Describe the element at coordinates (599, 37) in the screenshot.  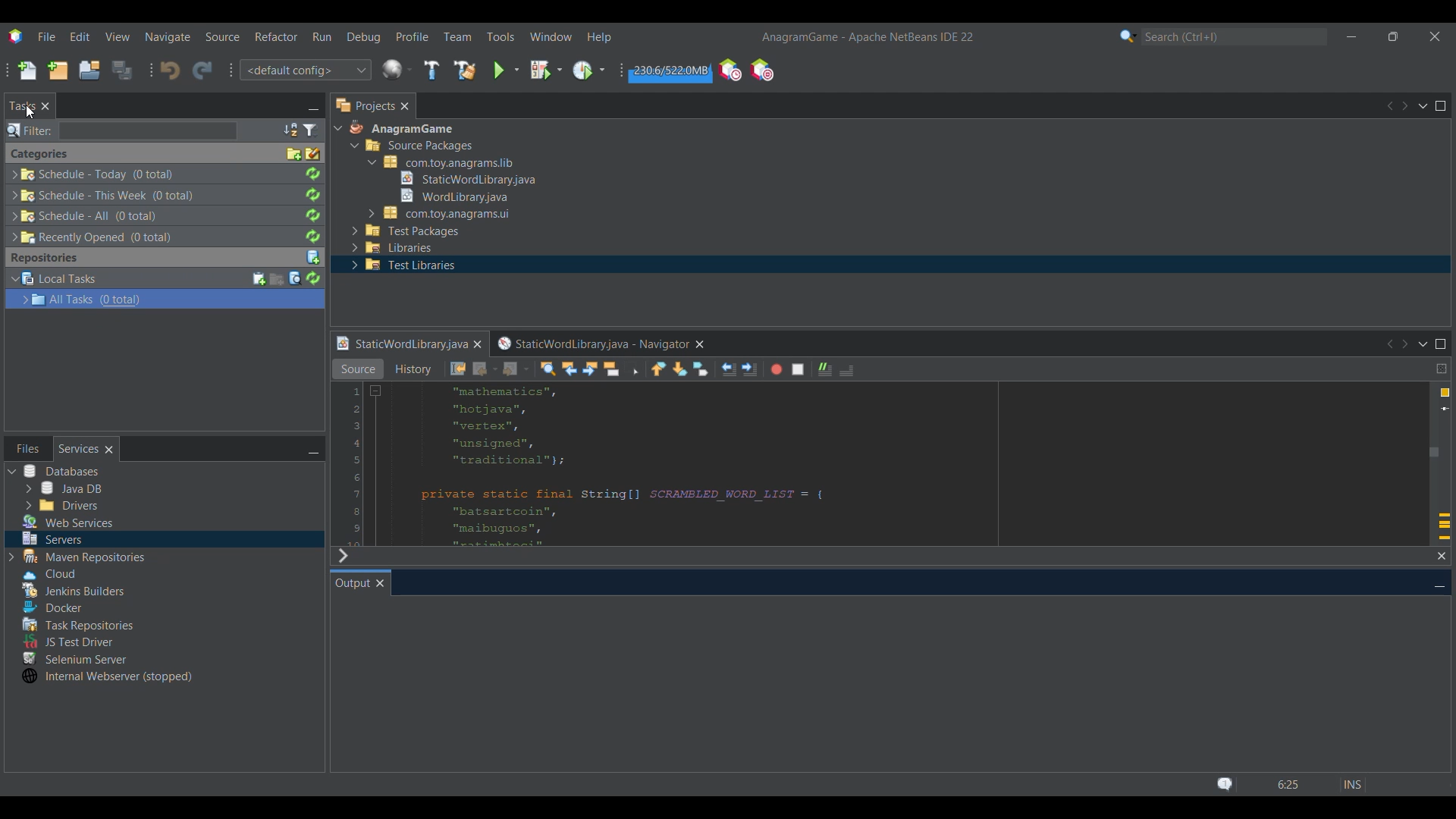
I see `Help menu` at that location.